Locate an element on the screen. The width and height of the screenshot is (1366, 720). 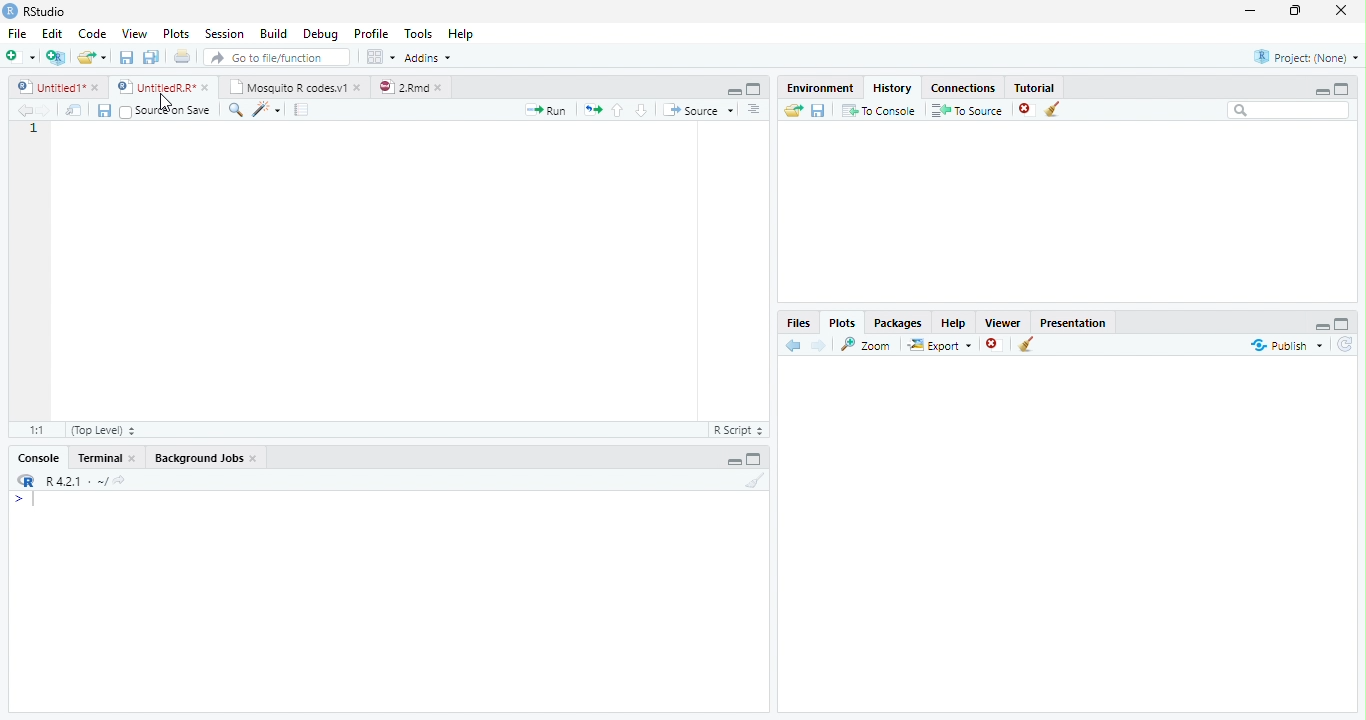
Run is located at coordinates (547, 110).